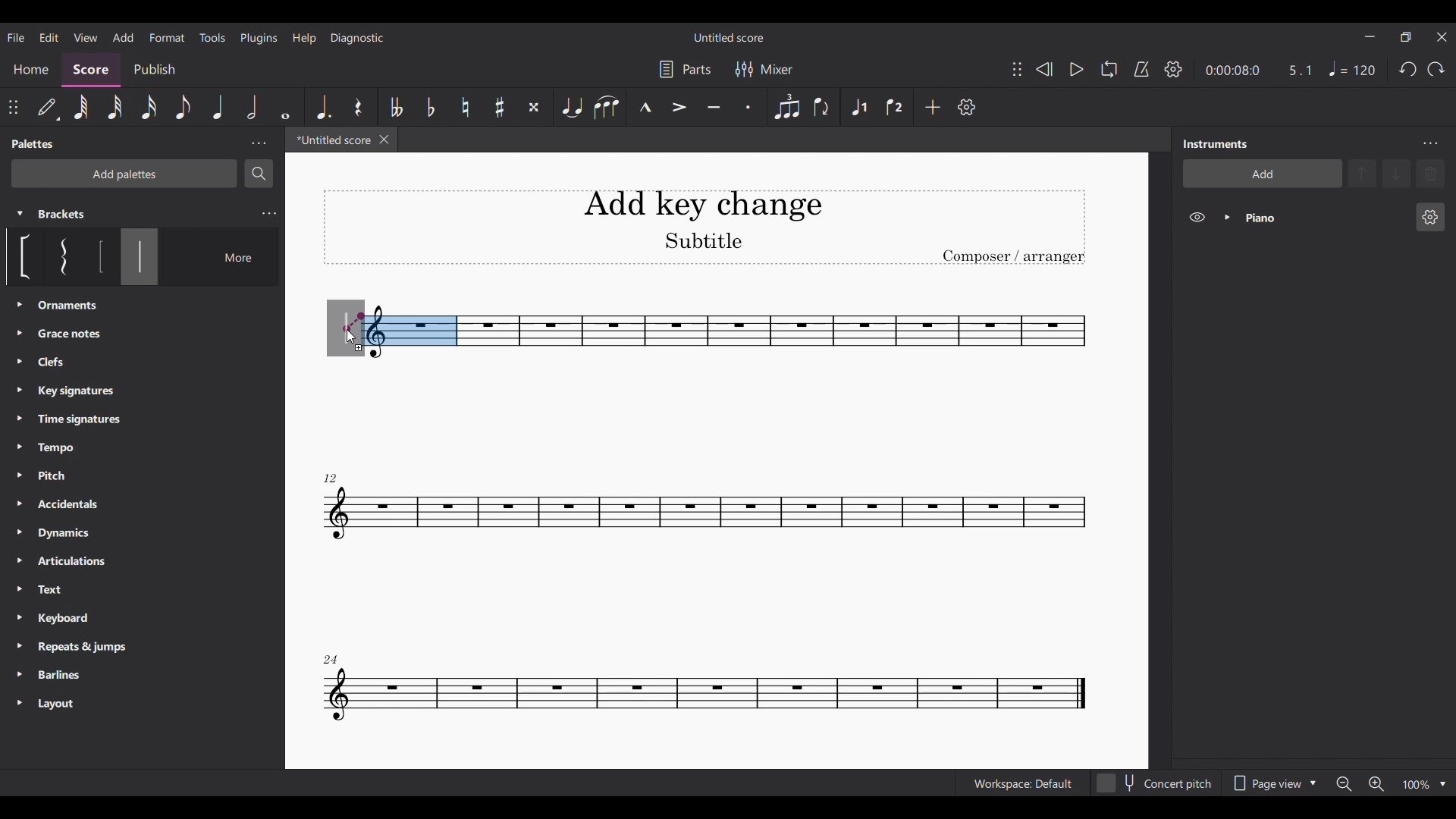  I want to click on Home section, so click(32, 69).